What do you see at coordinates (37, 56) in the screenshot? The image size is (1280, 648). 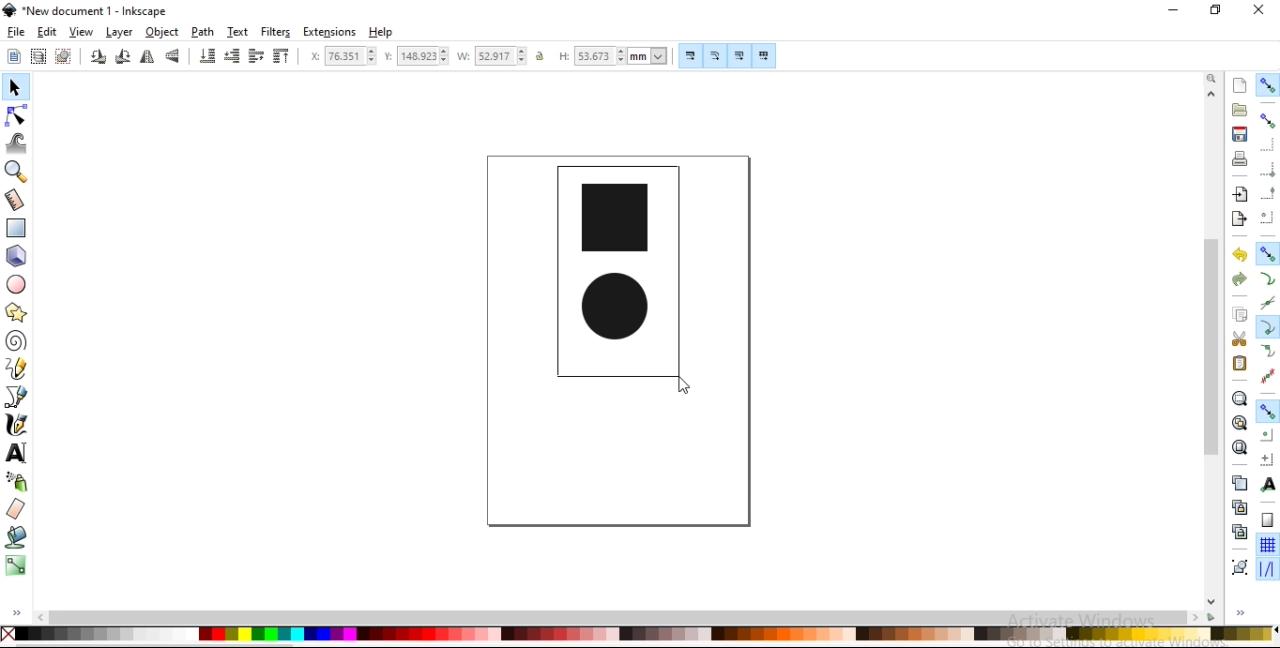 I see `select all objects in all visible and unlocked layers` at bounding box center [37, 56].